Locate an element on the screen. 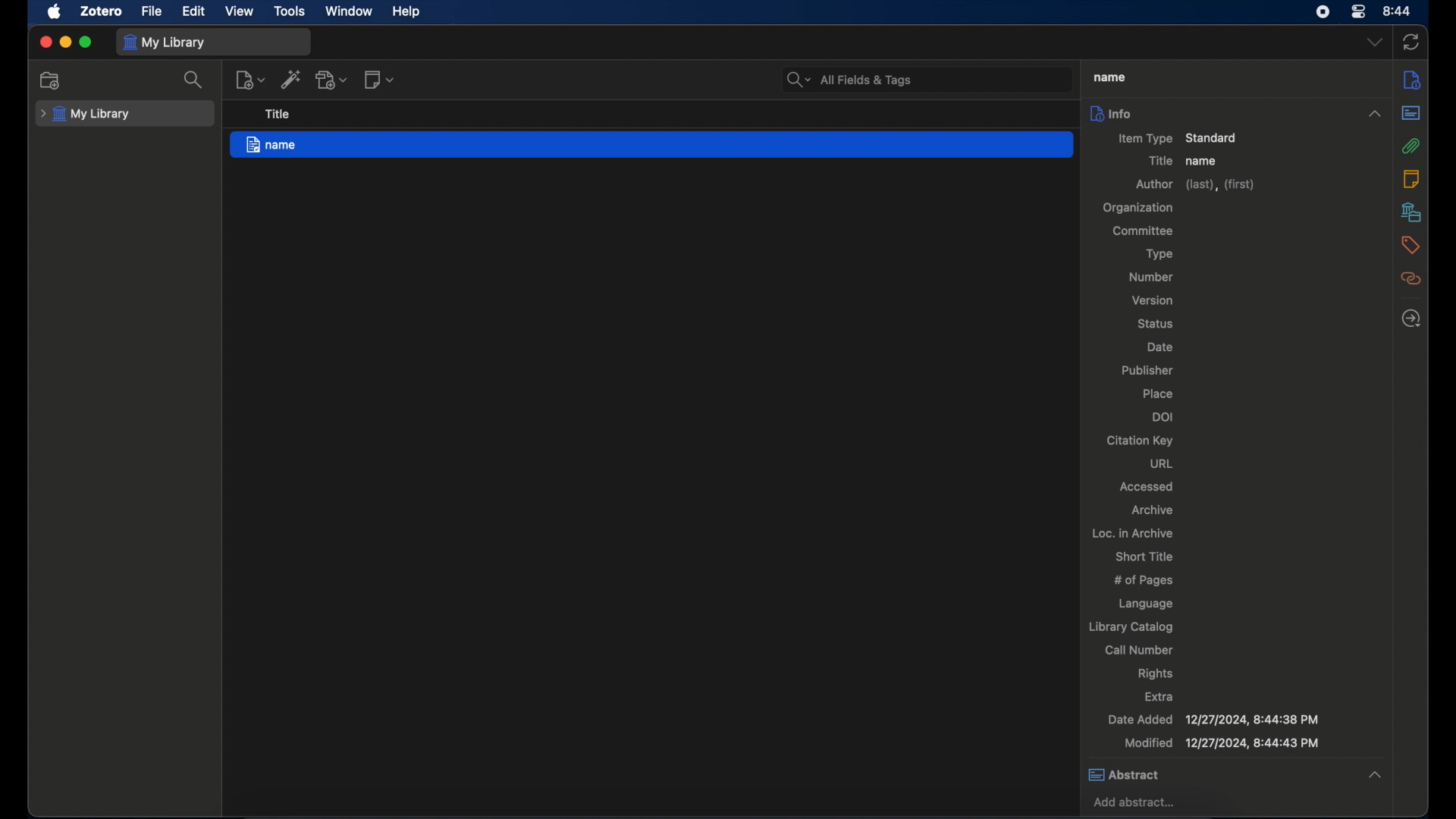  my library is located at coordinates (165, 42).